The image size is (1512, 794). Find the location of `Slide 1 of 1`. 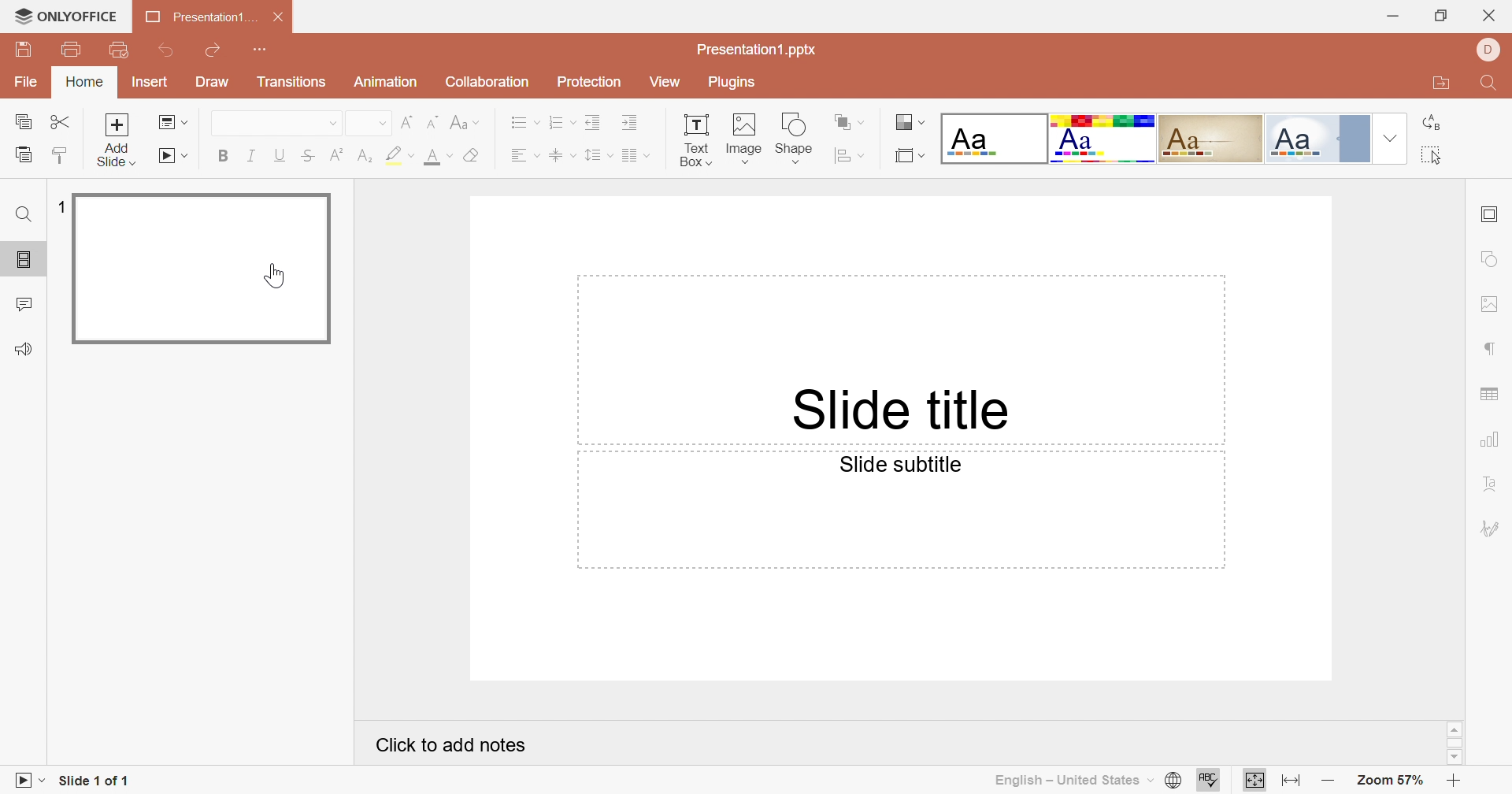

Slide 1 of 1 is located at coordinates (97, 781).